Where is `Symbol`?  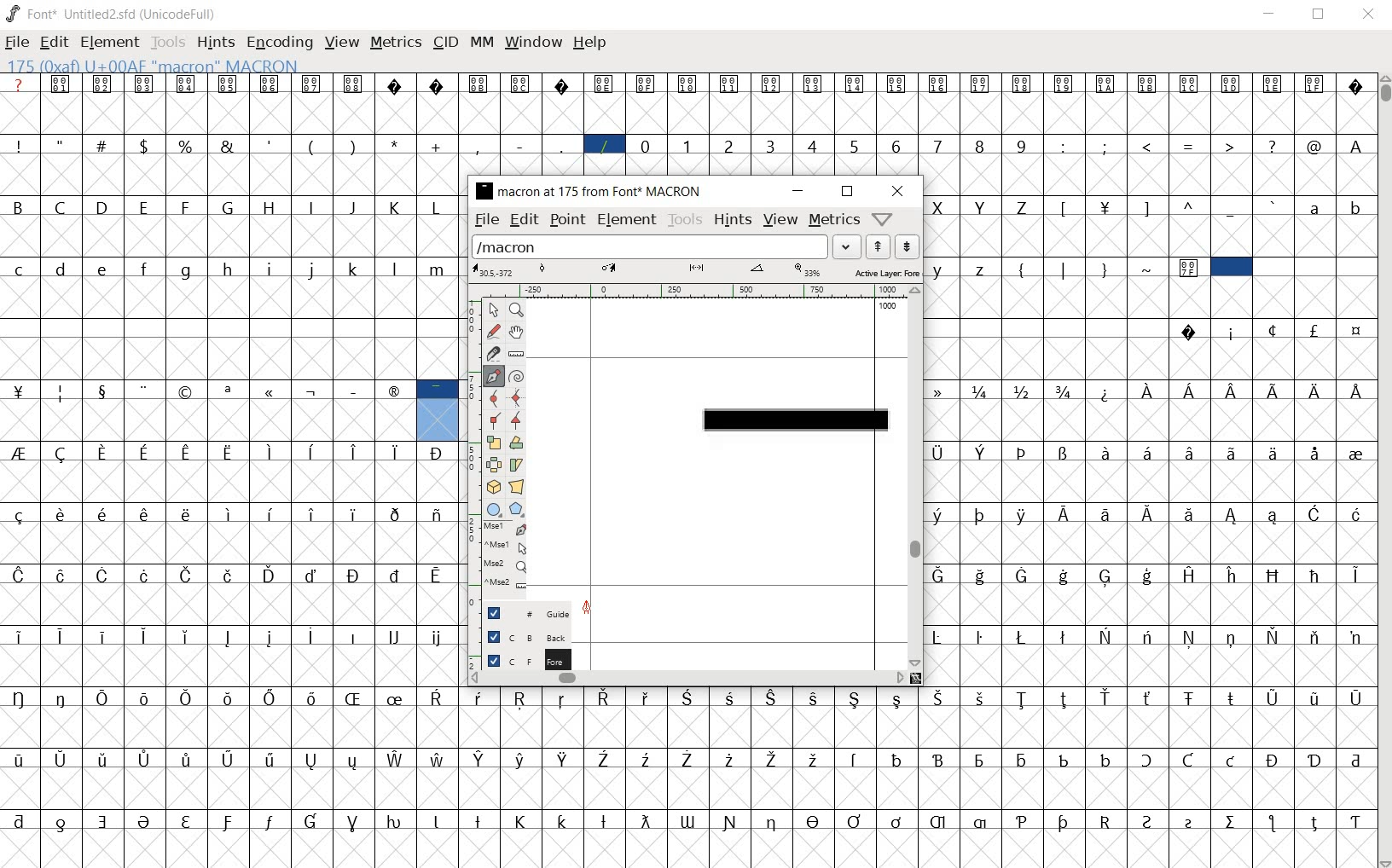 Symbol is located at coordinates (273, 820).